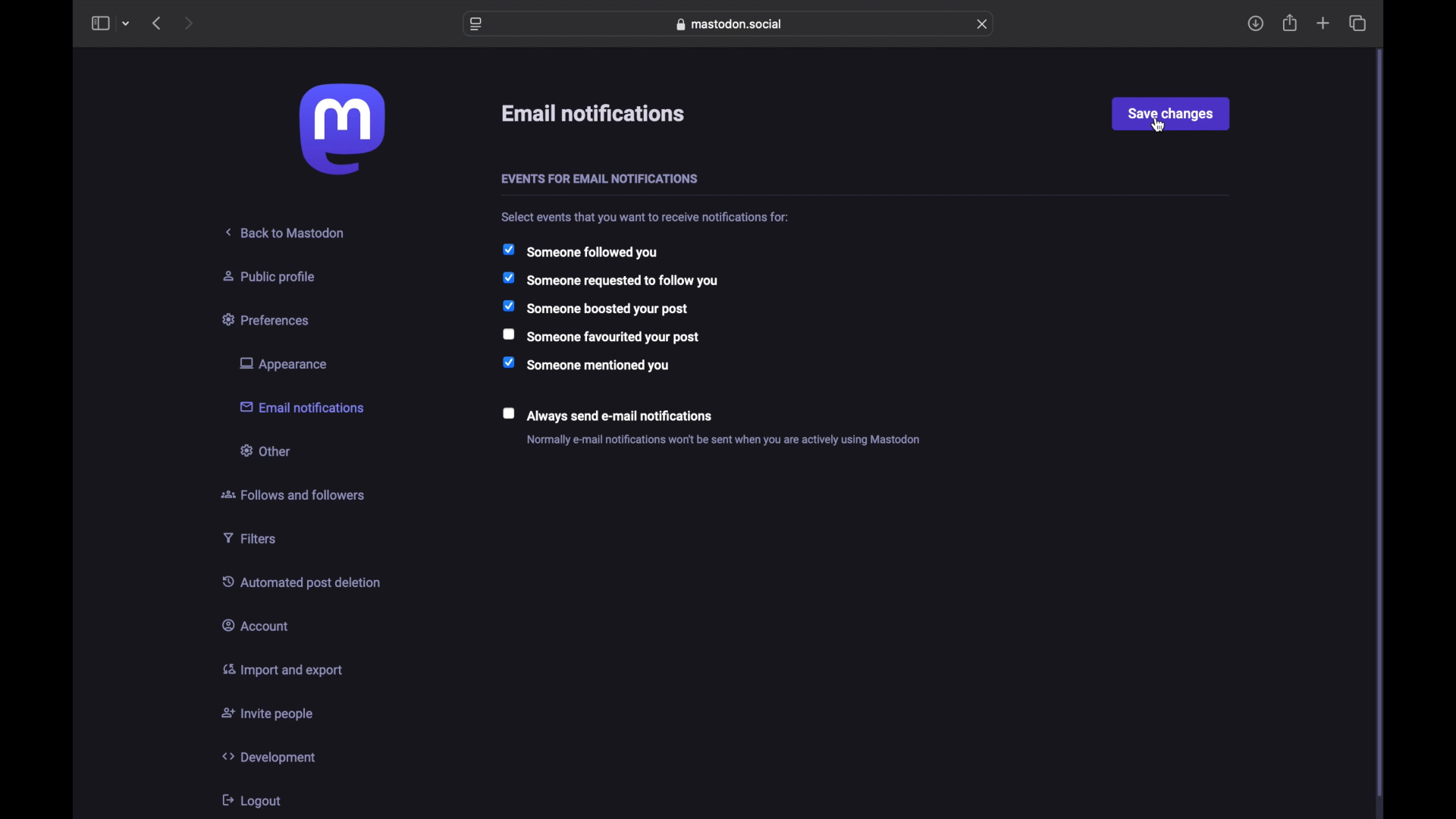 The image size is (1456, 819). Describe the element at coordinates (190, 23) in the screenshot. I see `next` at that location.